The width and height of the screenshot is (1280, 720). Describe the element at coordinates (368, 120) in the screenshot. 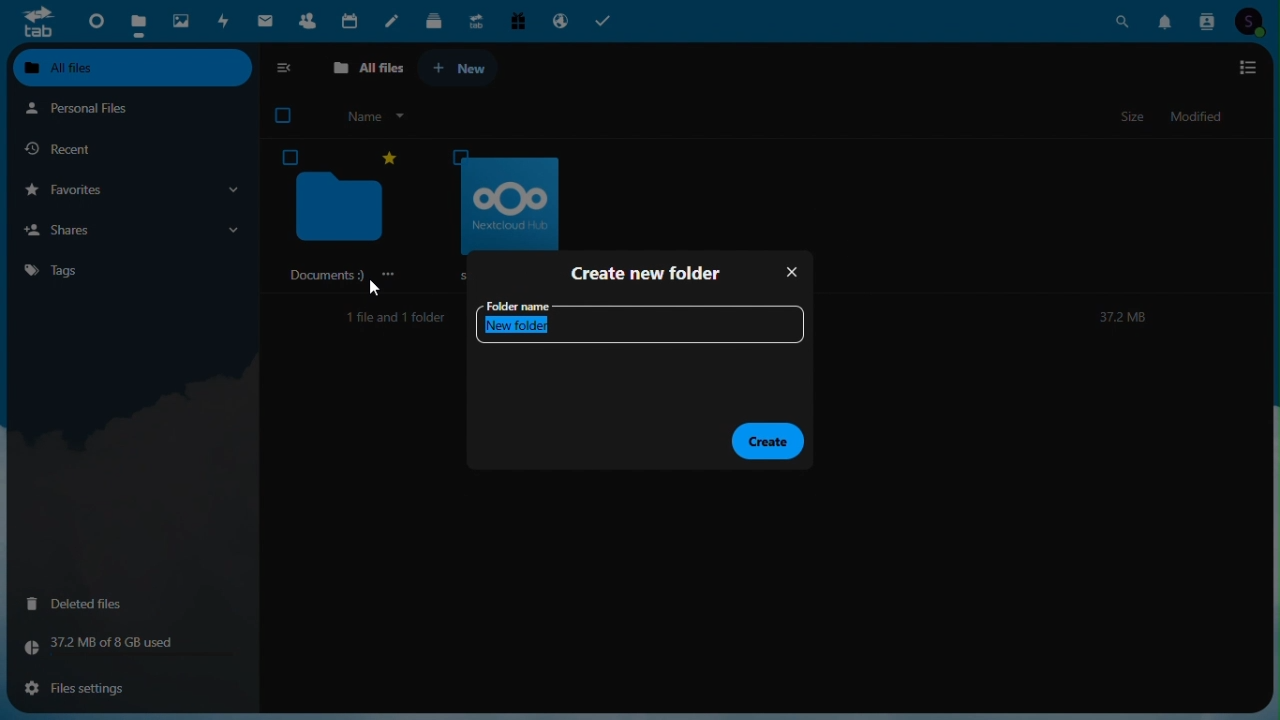

I see `Name ` at that location.